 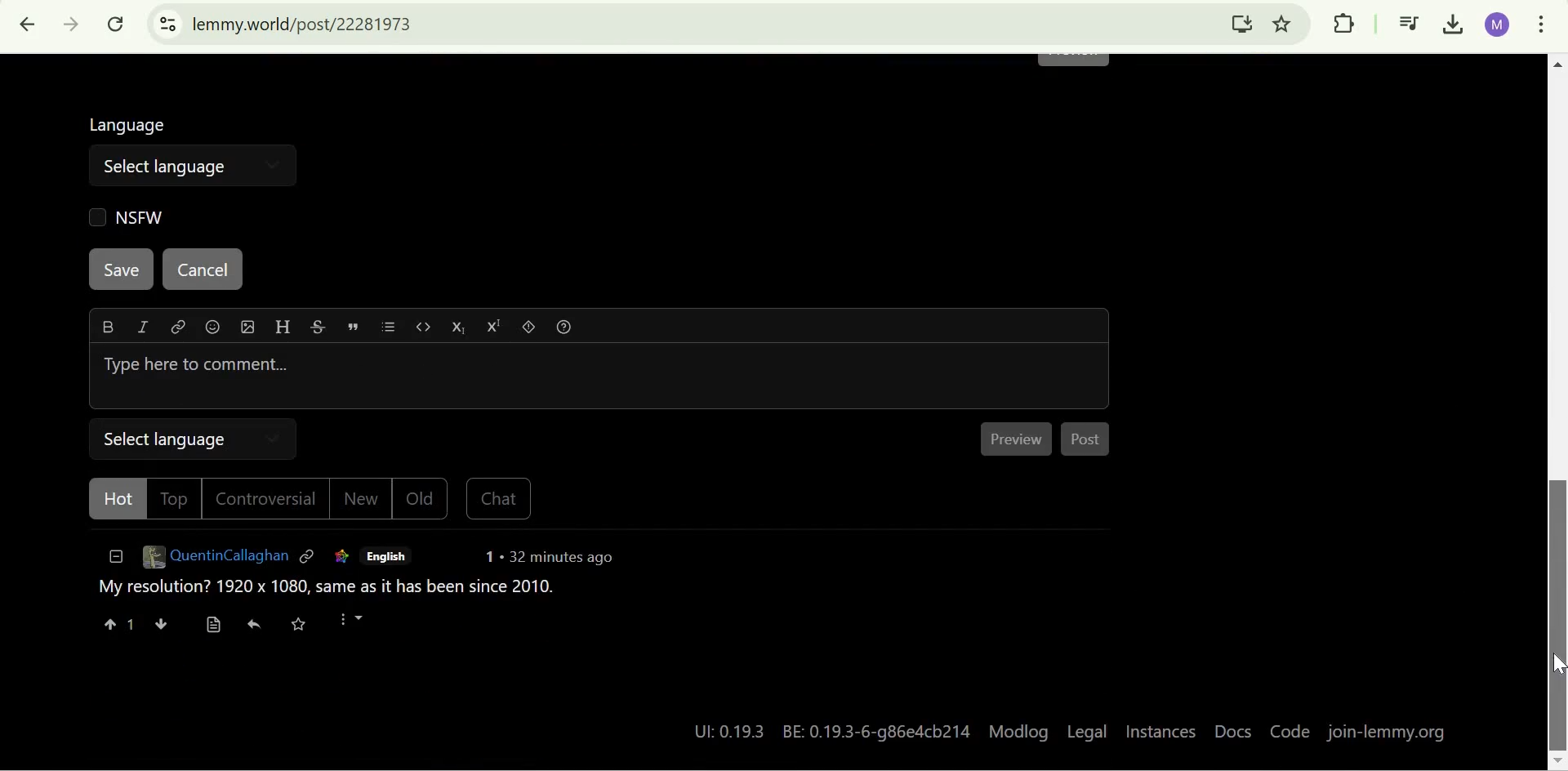 What do you see at coordinates (318, 329) in the screenshot?
I see `strikethrough` at bounding box center [318, 329].